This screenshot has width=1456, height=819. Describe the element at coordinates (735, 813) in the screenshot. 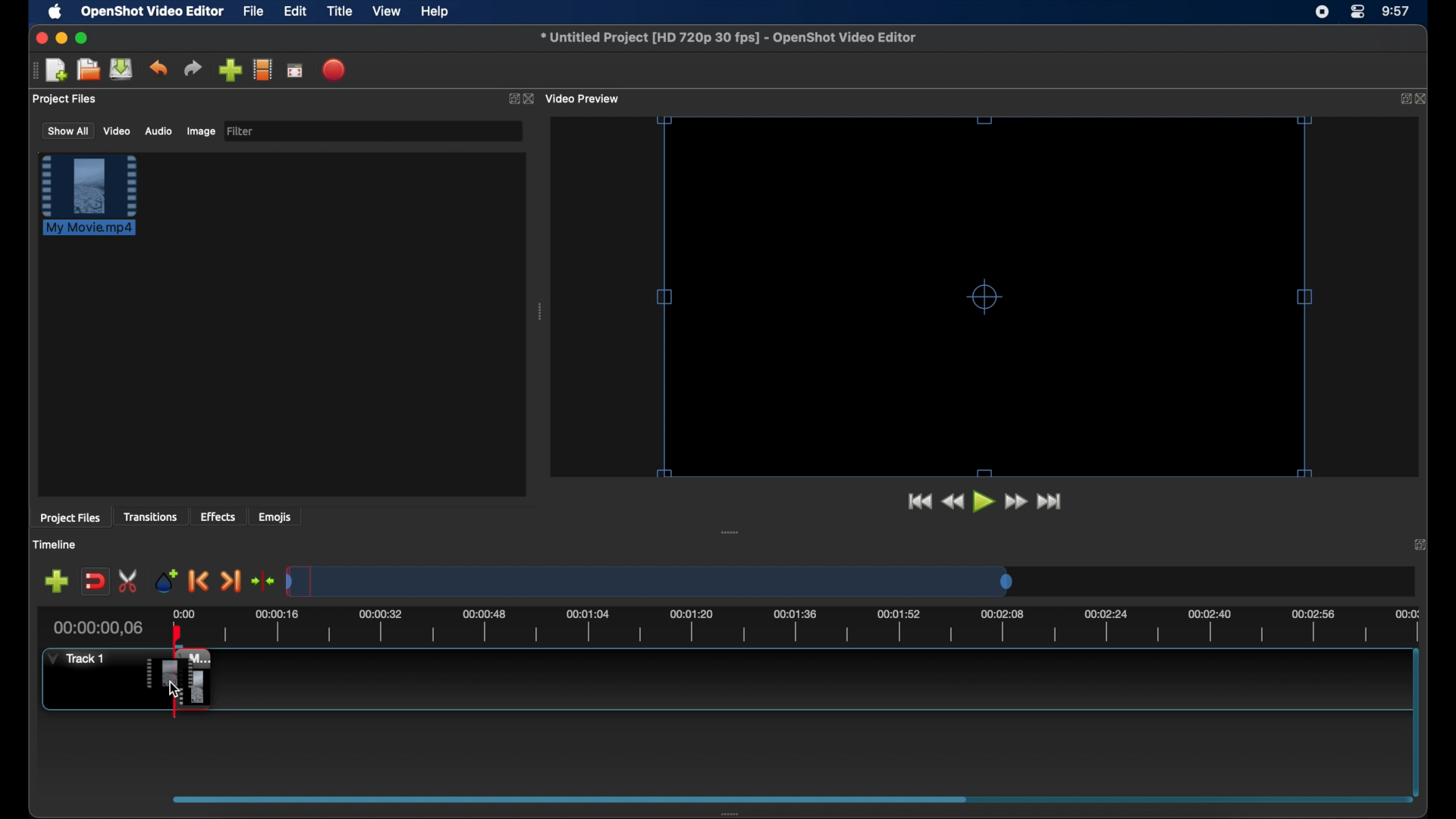

I see `drag handle` at that location.